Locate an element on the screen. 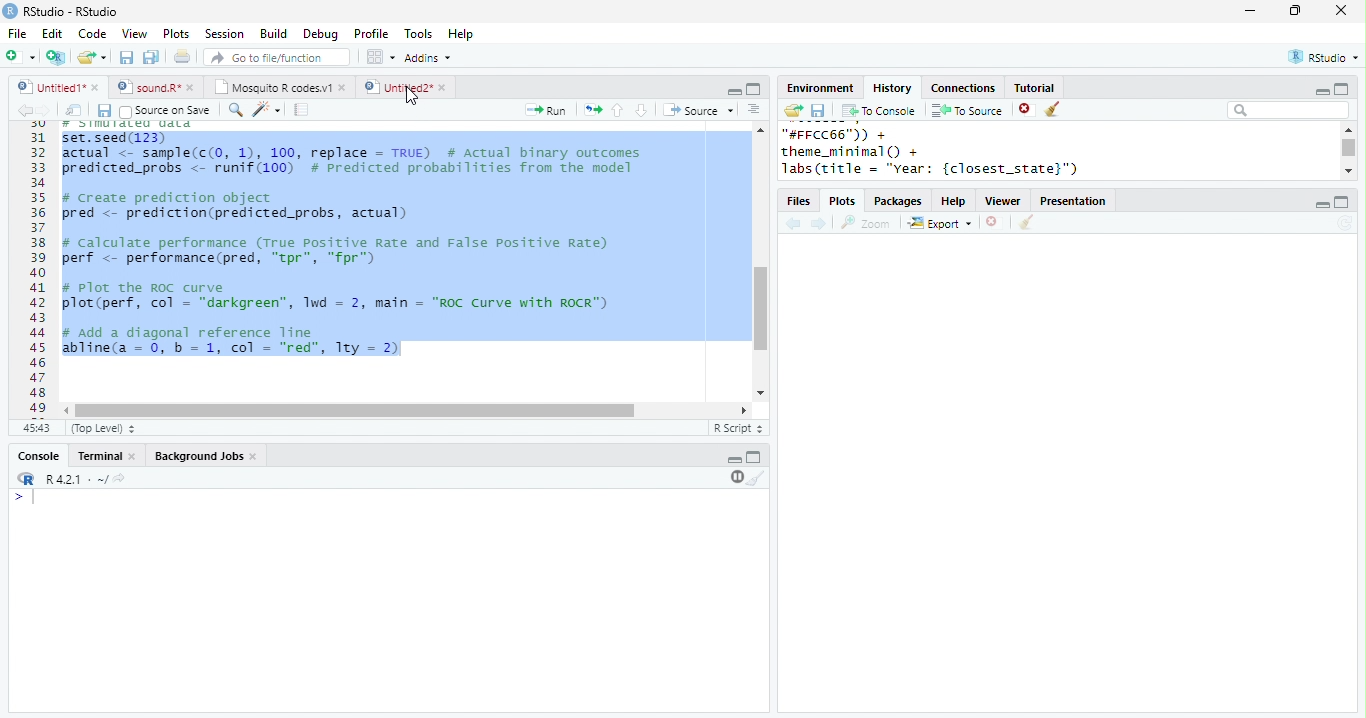 This screenshot has height=718, width=1366. Code is located at coordinates (92, 33).